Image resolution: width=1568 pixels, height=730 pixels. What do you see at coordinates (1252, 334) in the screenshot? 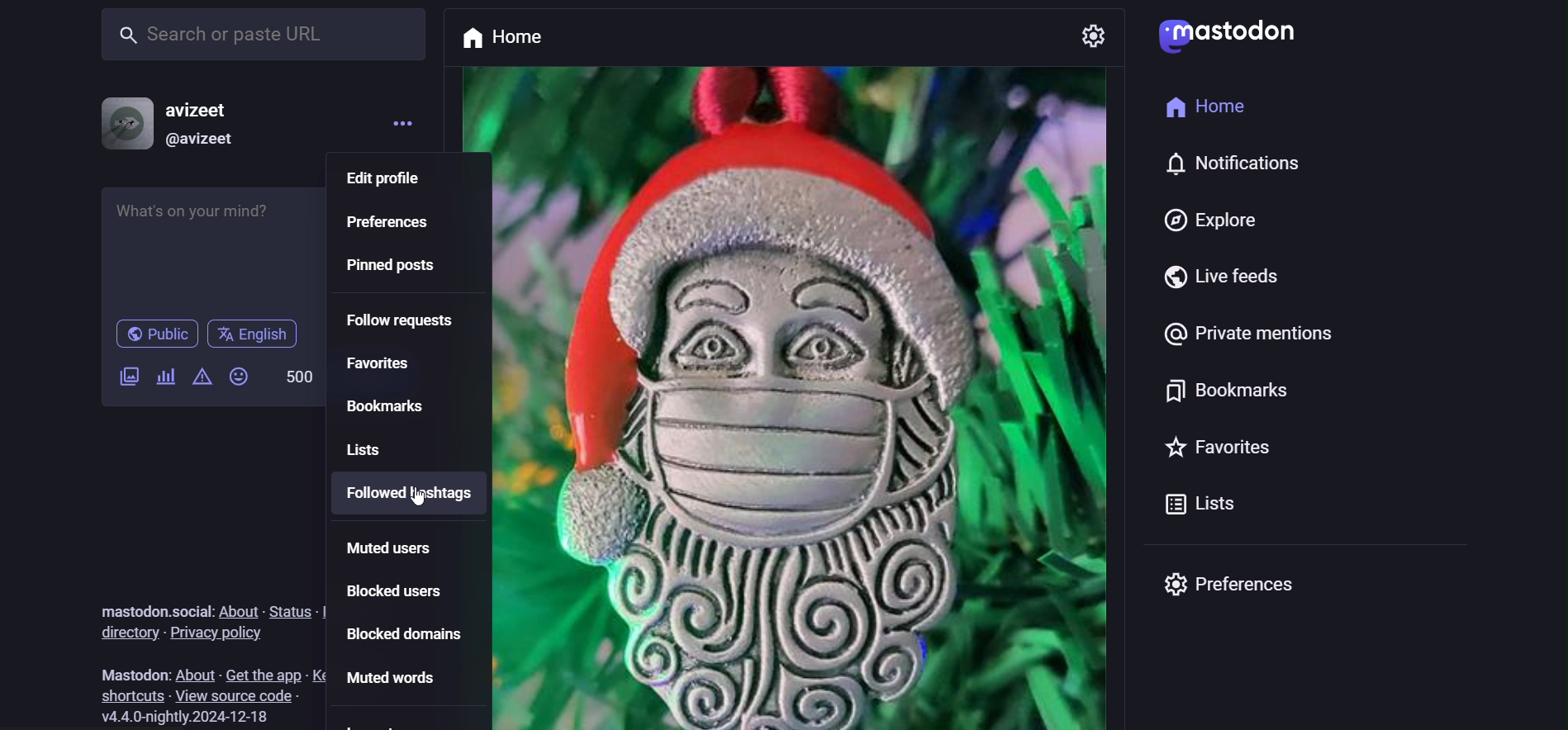
I see `private mentions` at bounding box center [1252, 334].